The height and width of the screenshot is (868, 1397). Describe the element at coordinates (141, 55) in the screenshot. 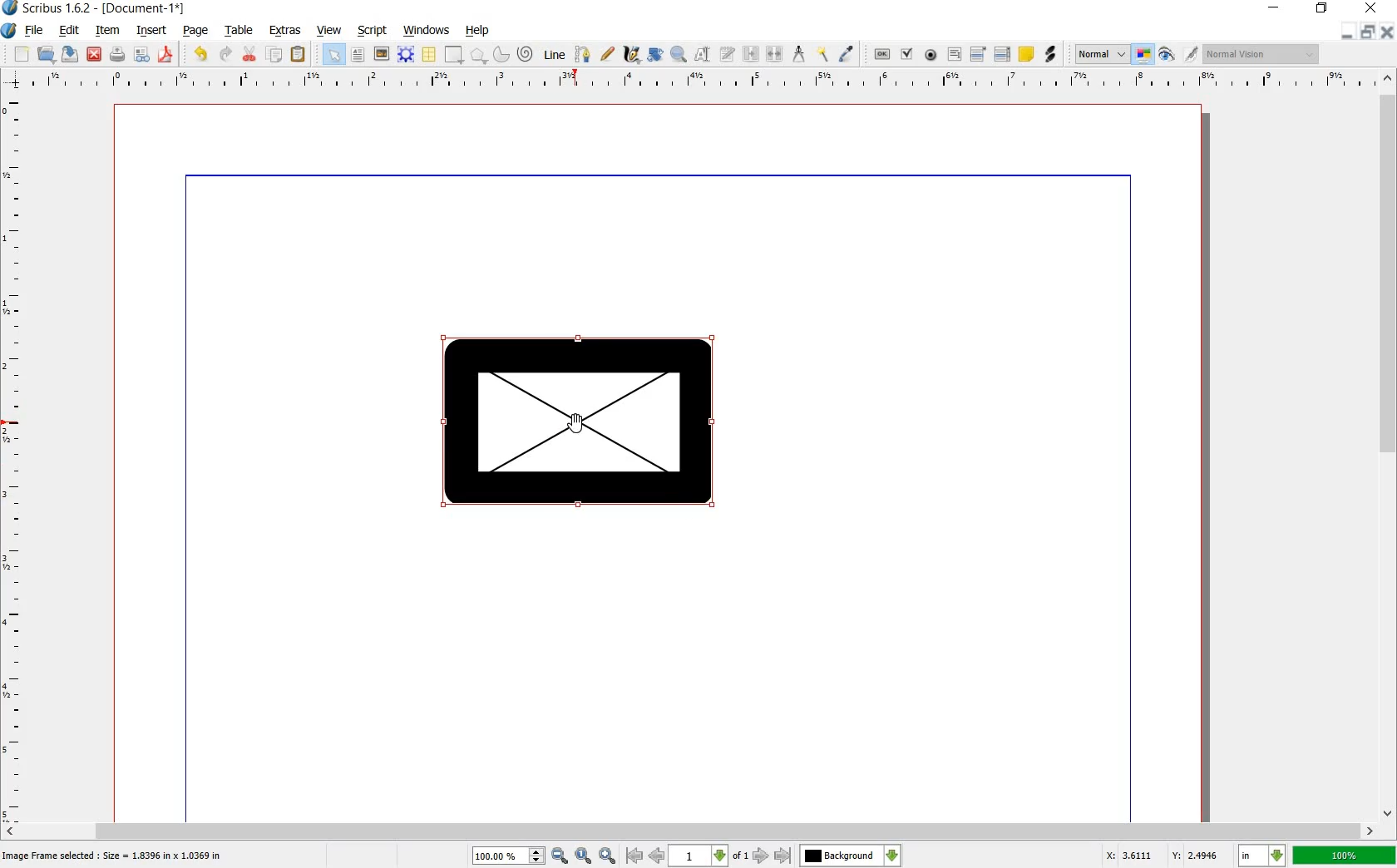

I see `preflight verifier` at that location.